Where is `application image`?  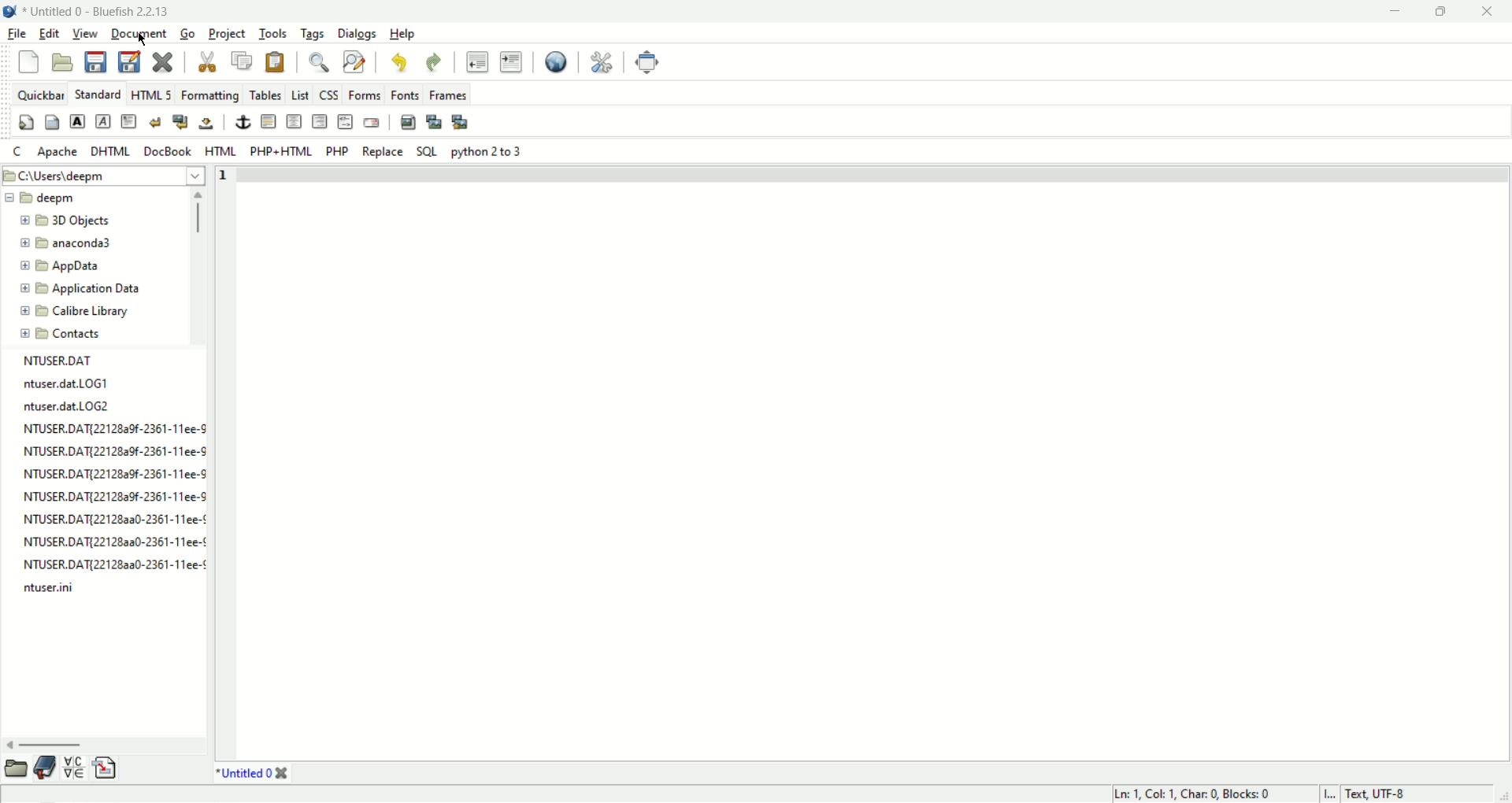
application image is located at coordinates (9, 10).